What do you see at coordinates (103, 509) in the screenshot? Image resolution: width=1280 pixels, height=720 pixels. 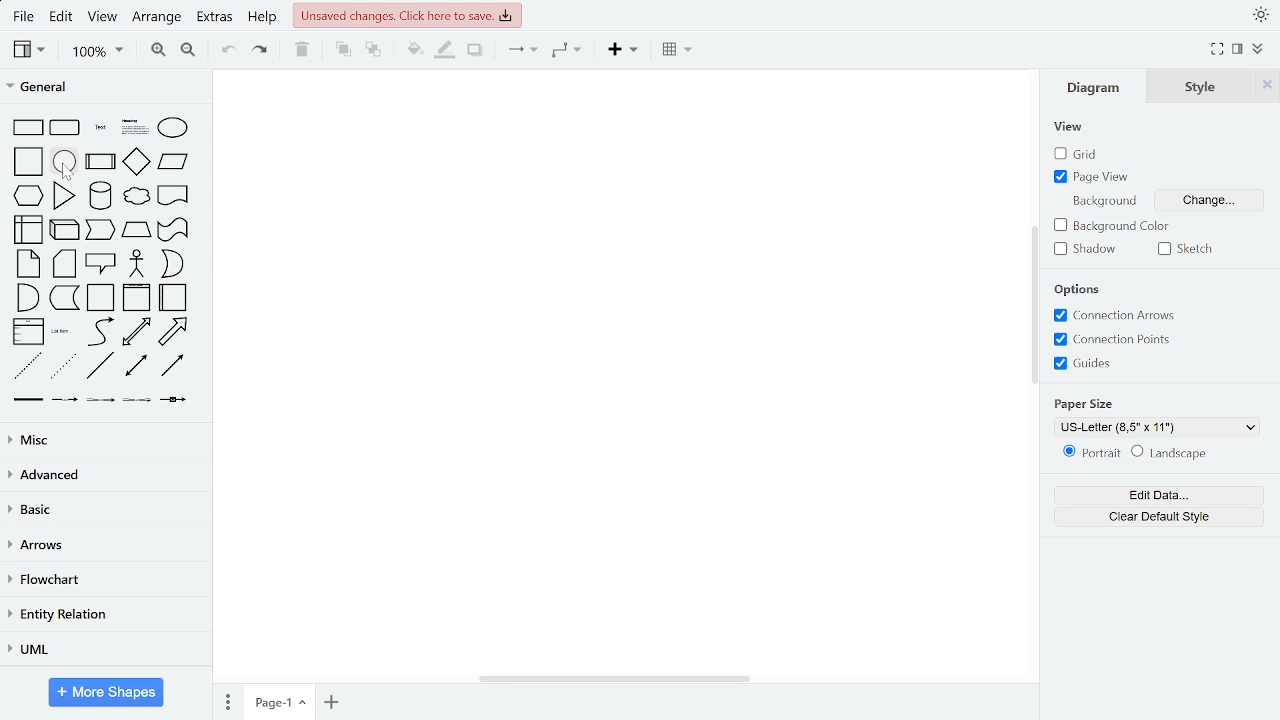 I see `basic` at bounding box center [103, 509].